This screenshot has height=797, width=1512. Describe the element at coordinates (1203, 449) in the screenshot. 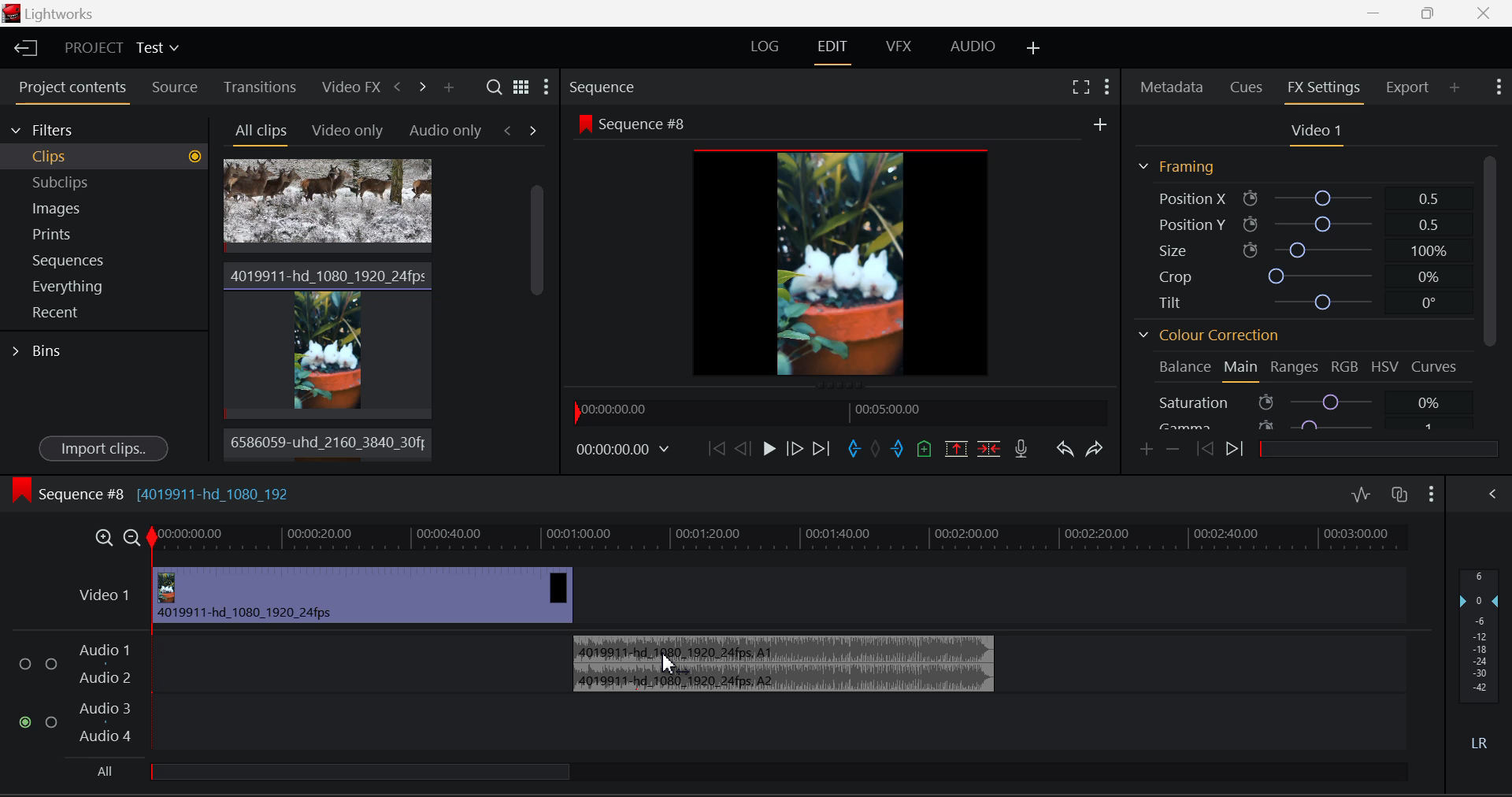

I see `Previous keyframe` at that location.